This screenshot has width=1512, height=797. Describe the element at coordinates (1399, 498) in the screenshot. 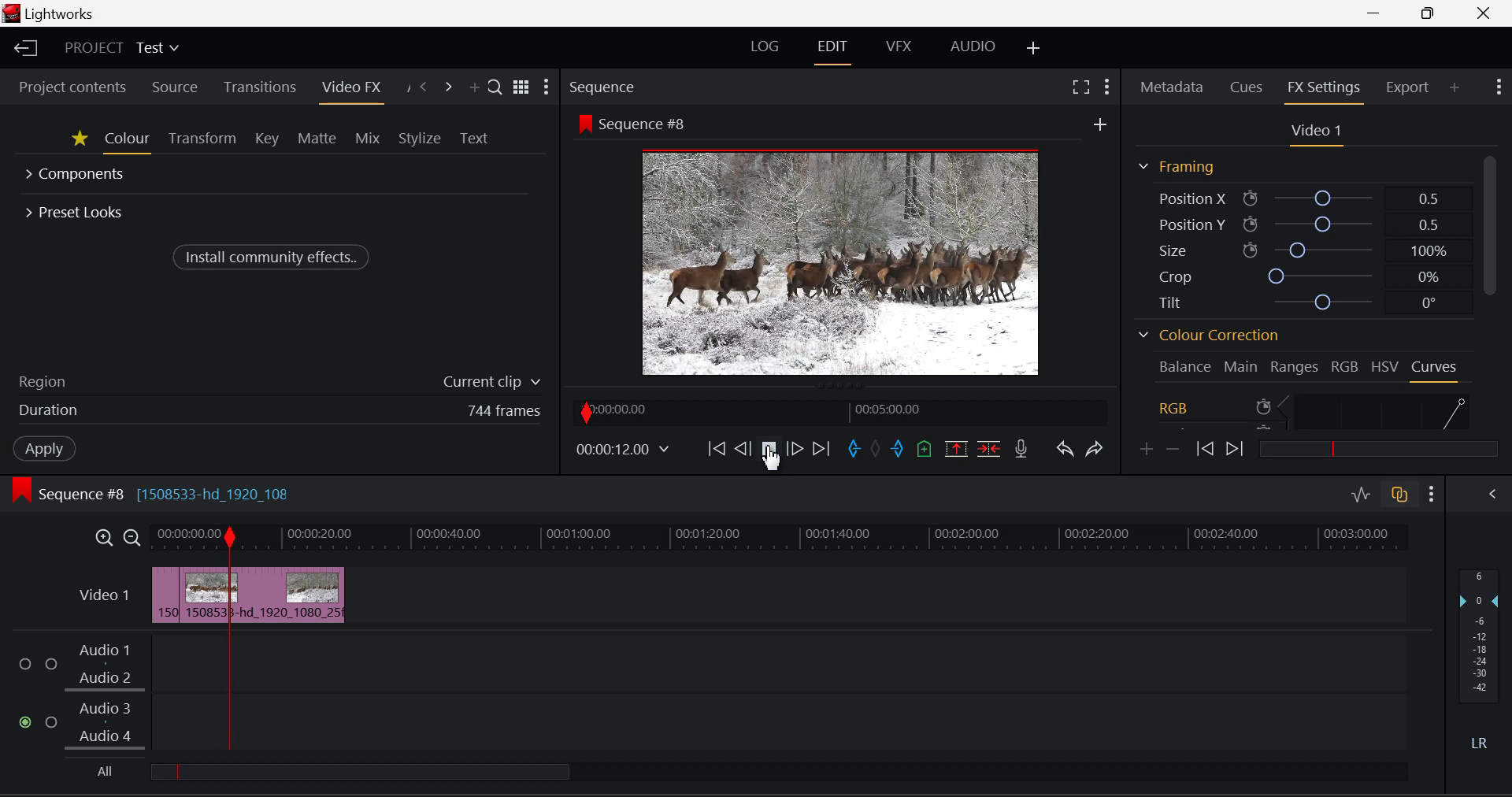

I see `Toggle audio track sync` at that location.